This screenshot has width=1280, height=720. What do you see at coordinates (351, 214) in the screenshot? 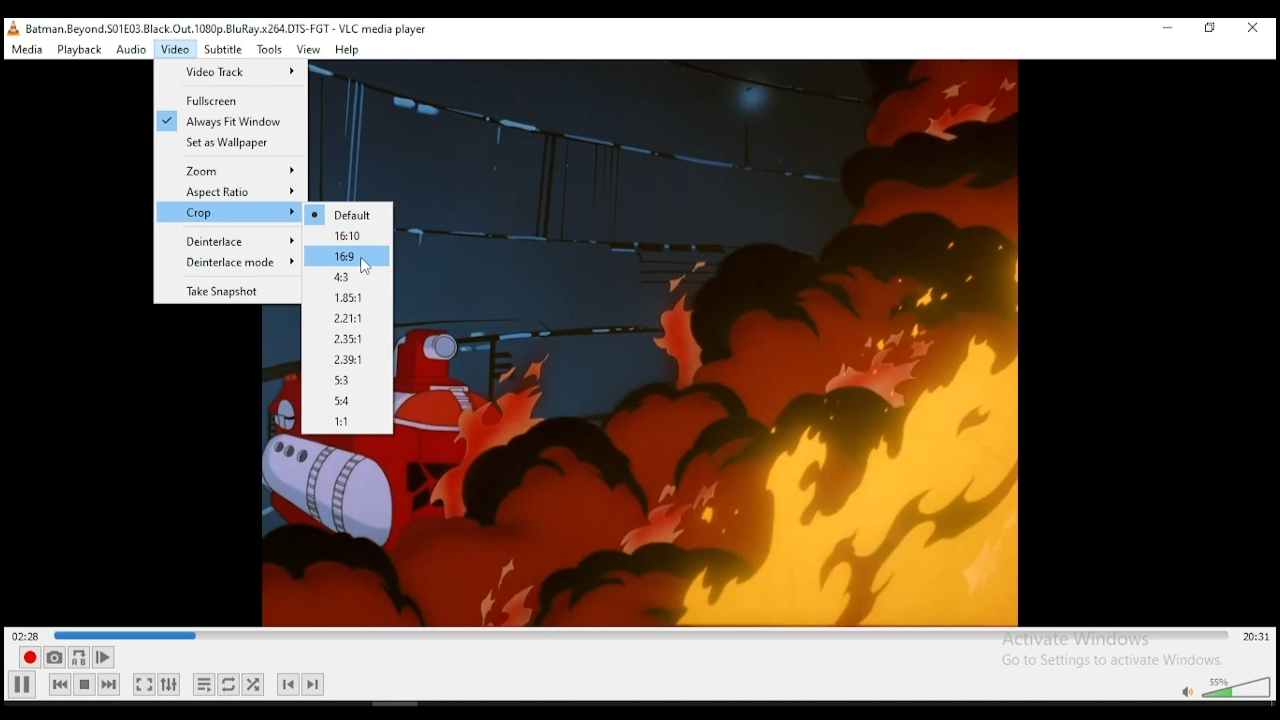
I see `Default` at bounding box center [351, 214].